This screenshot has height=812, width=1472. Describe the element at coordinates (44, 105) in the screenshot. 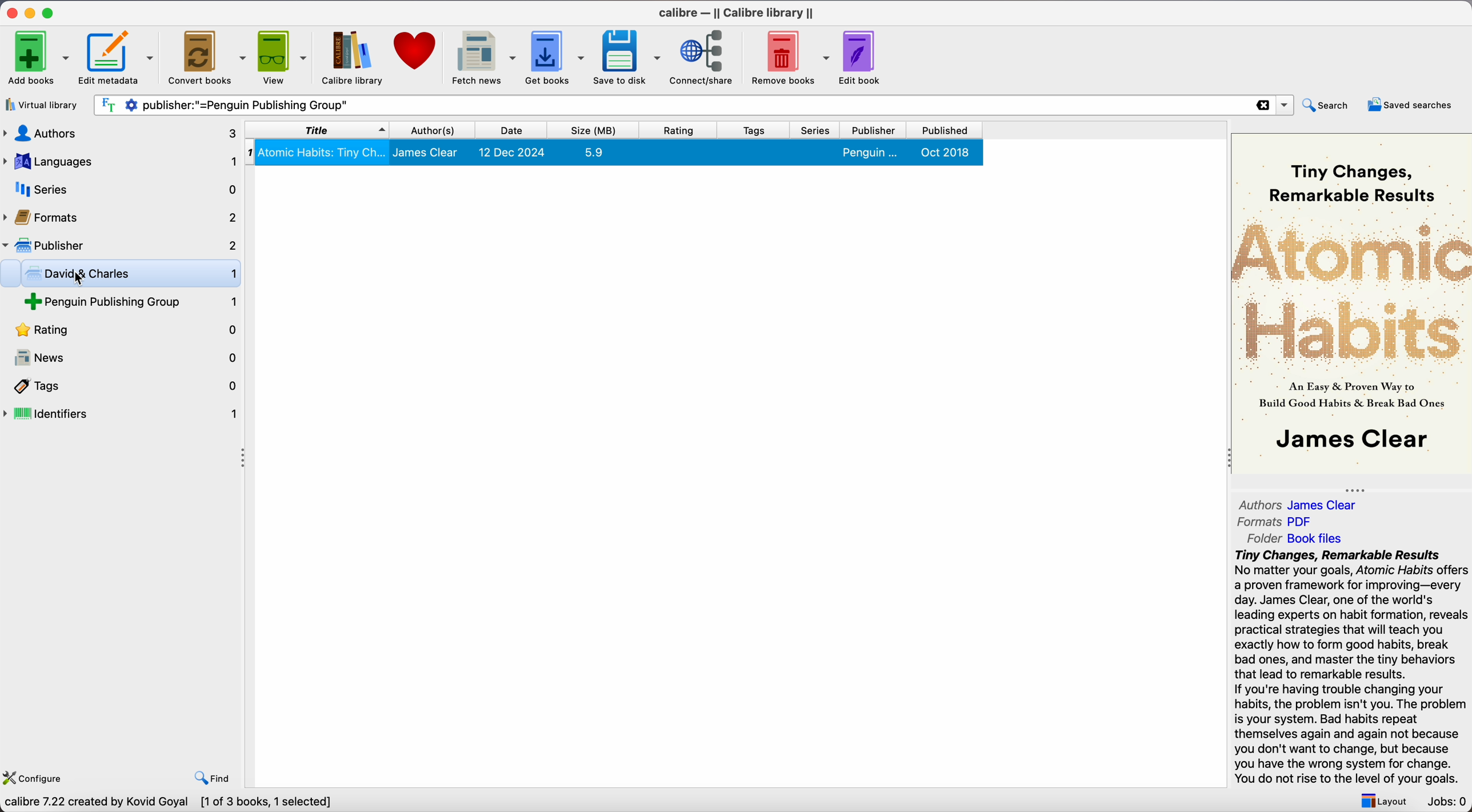

I see `virtual library` at that location.